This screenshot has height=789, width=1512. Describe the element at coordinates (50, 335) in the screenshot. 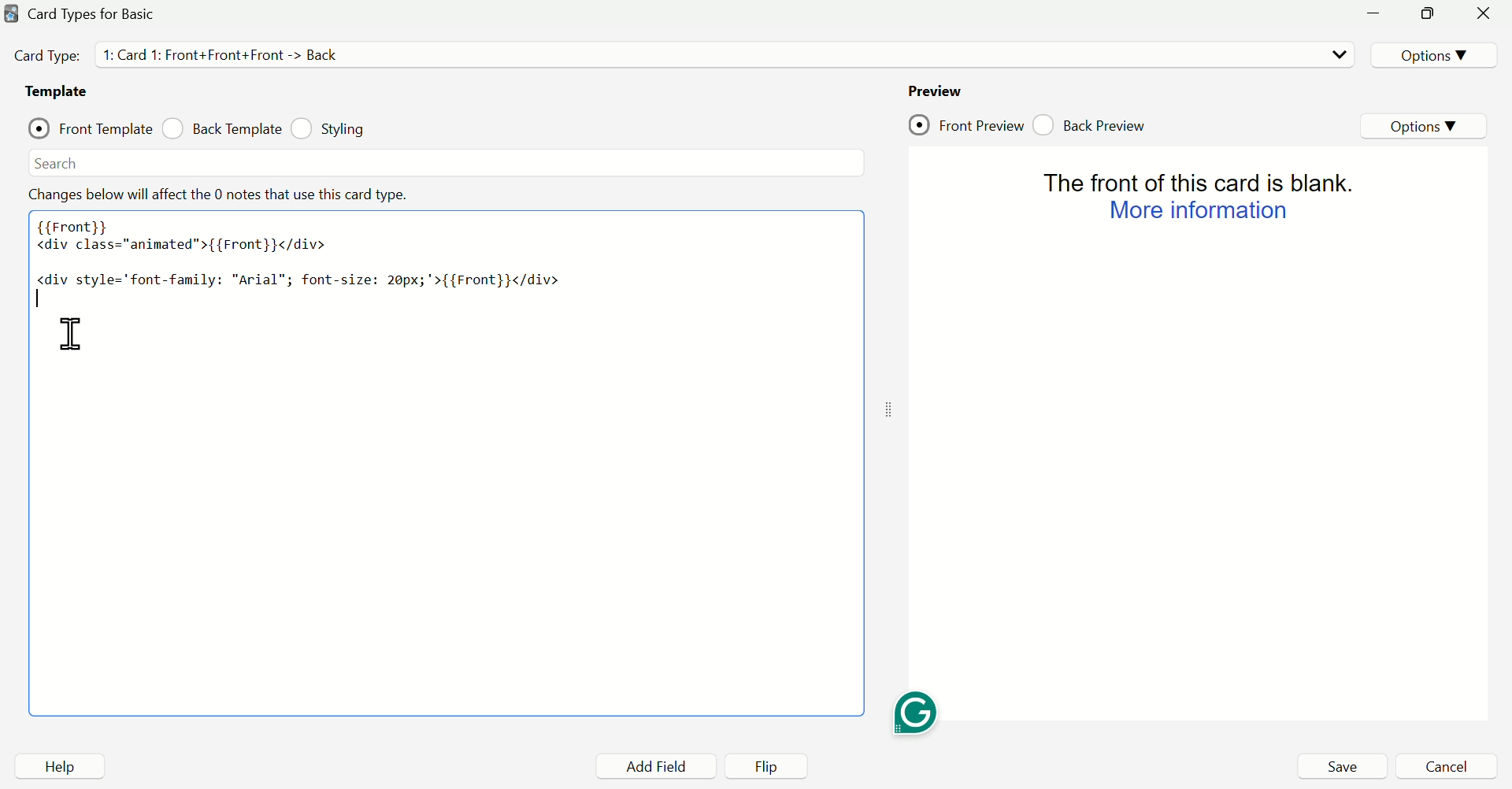

I see `Insertion cursor` at that location.